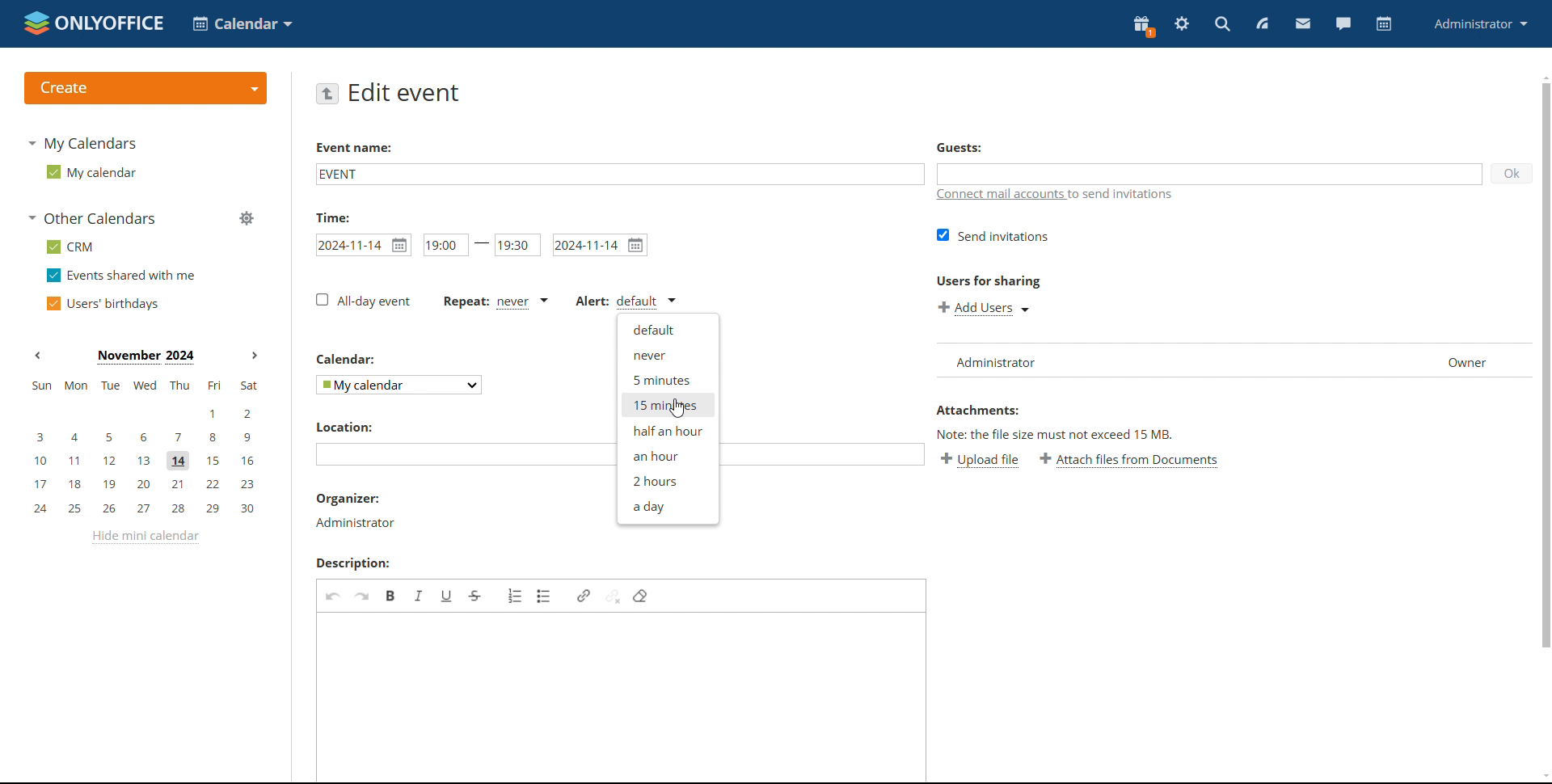 This screenshot has height=784, width=1552. I want to click on redo, so click(362, 596).